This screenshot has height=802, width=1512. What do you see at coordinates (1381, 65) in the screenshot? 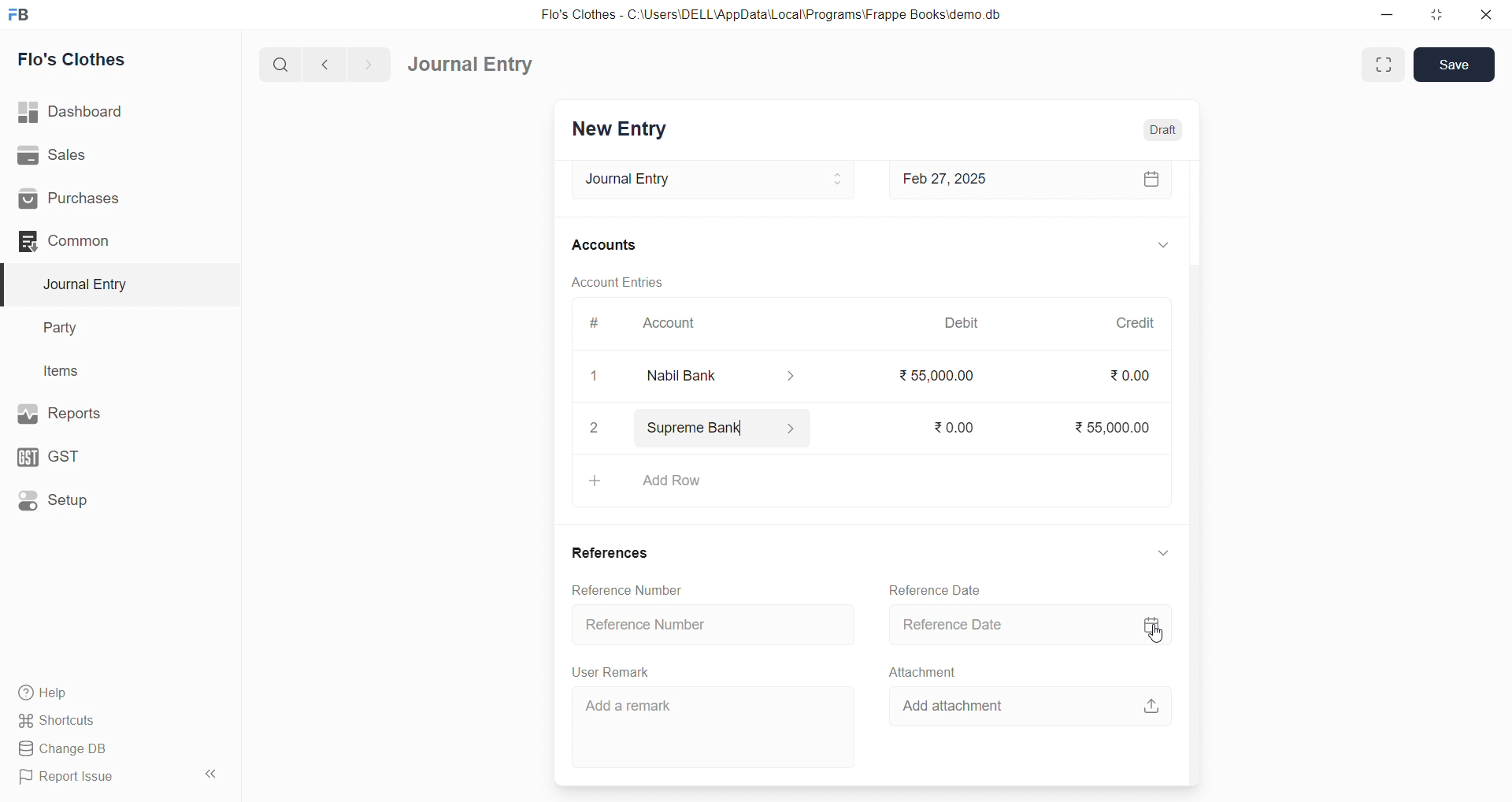
I see `Fit window` at bounding box center [1381, 65].